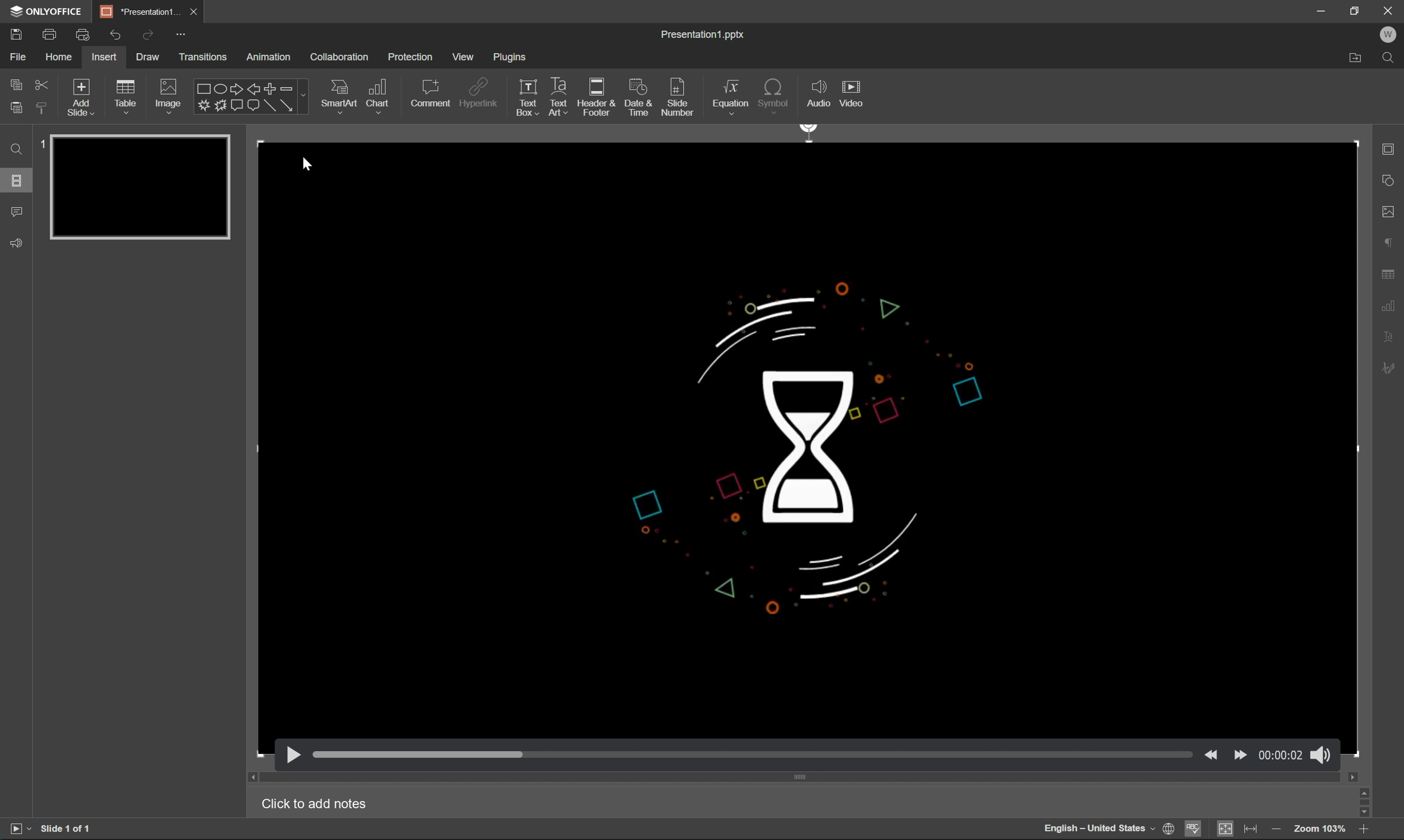  I want to click on slides, so click(17, 182).